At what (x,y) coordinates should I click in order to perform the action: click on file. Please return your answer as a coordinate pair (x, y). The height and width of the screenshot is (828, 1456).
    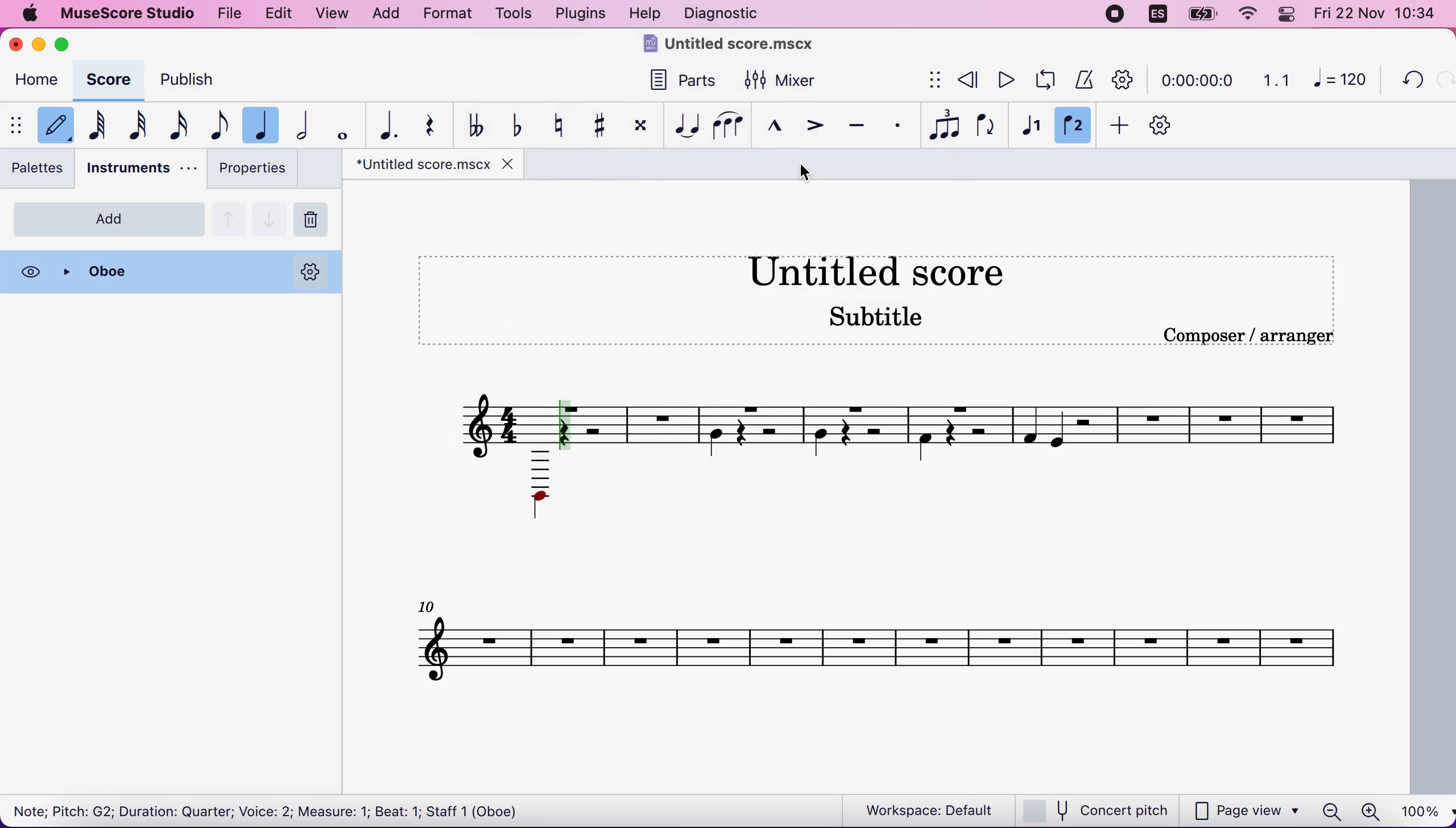
    Looking at the image, I should click on (231, 15).